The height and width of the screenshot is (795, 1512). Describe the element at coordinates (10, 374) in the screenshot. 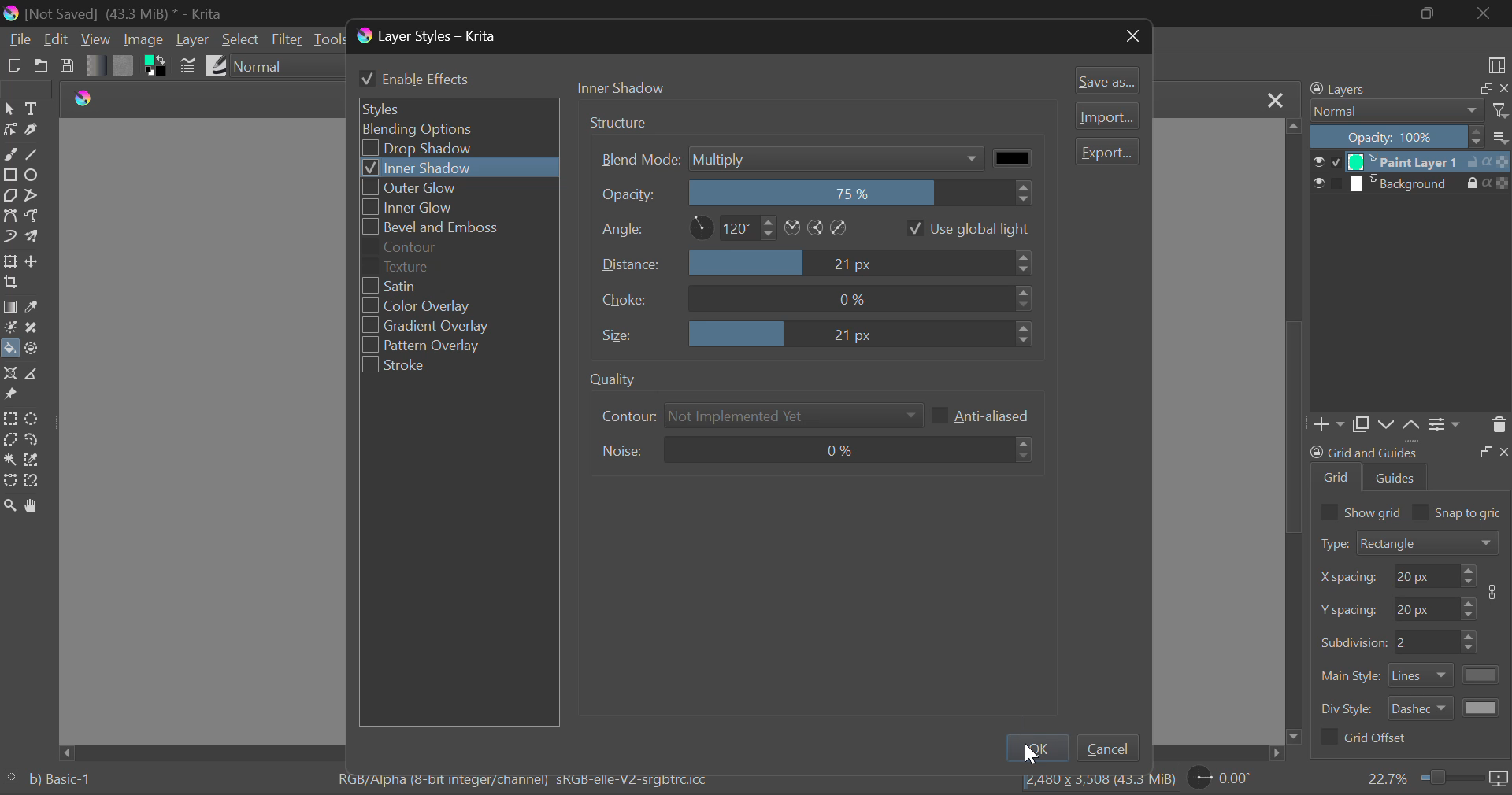

I see `Assistant Tool` at that location.